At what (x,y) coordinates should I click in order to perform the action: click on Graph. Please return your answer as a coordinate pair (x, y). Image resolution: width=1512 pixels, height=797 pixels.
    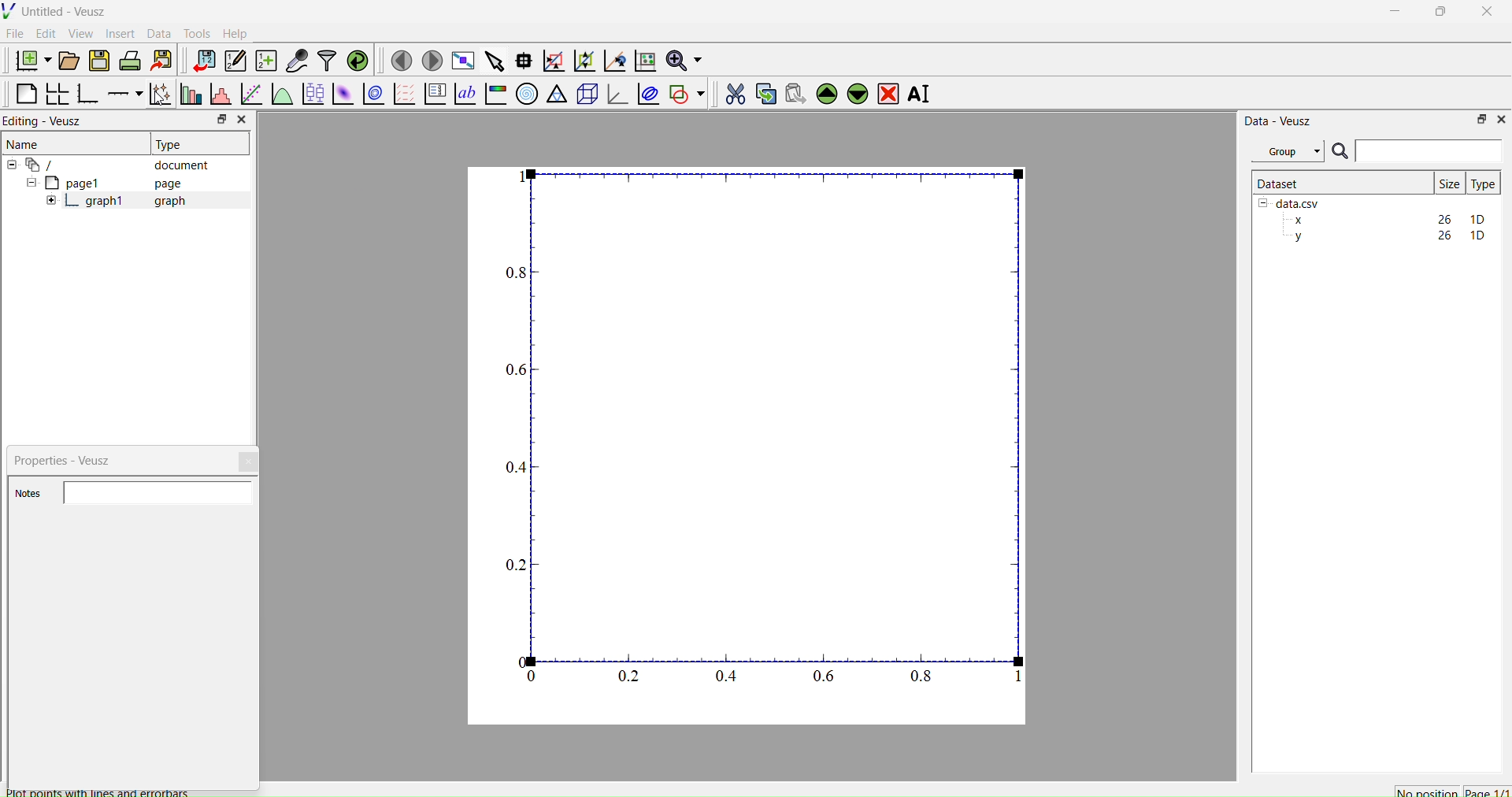
    Looking at the image, I should click on (766, 427).